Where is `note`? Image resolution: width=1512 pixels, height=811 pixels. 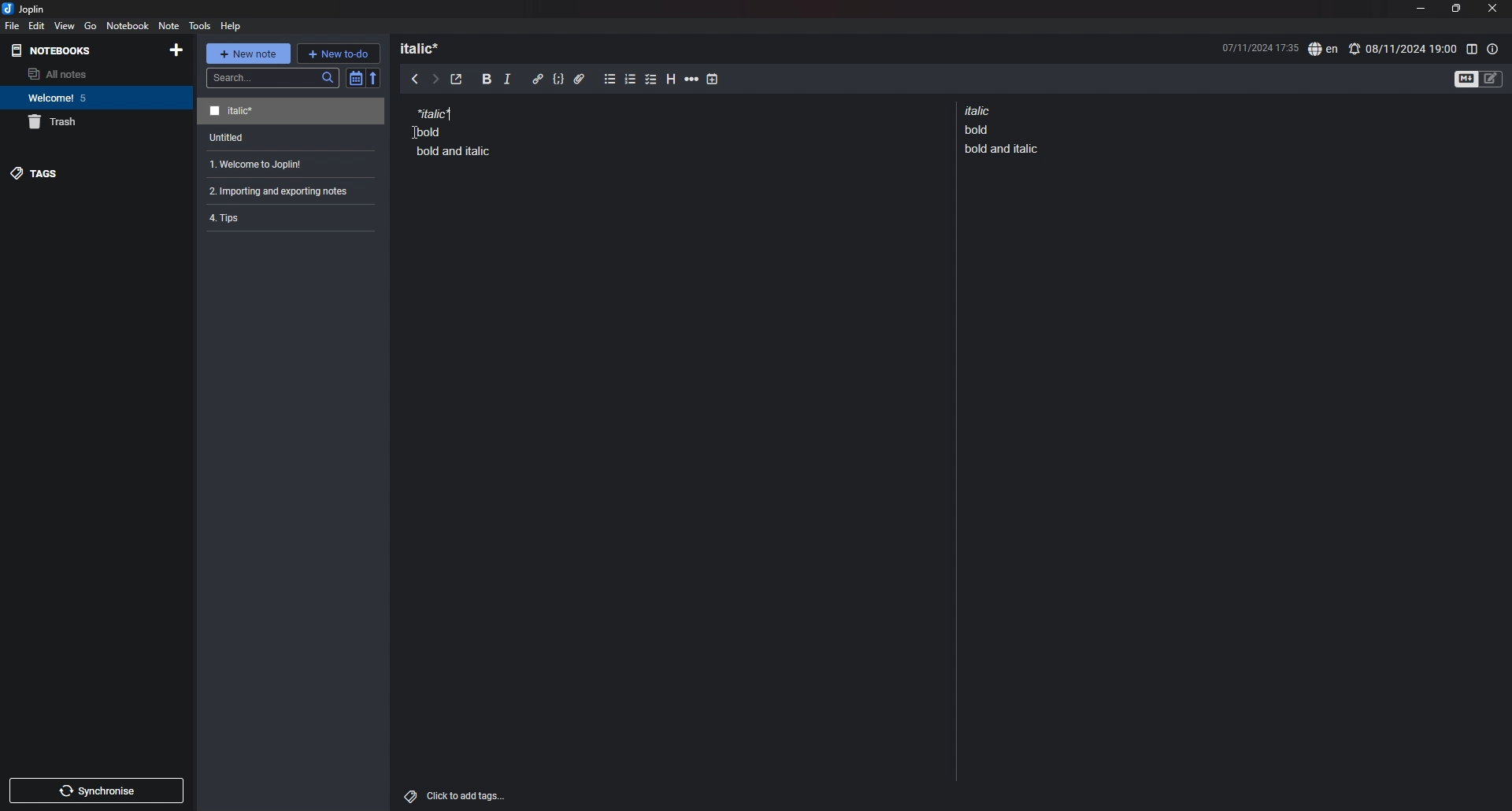 note is located at coordinates (1005, 129).